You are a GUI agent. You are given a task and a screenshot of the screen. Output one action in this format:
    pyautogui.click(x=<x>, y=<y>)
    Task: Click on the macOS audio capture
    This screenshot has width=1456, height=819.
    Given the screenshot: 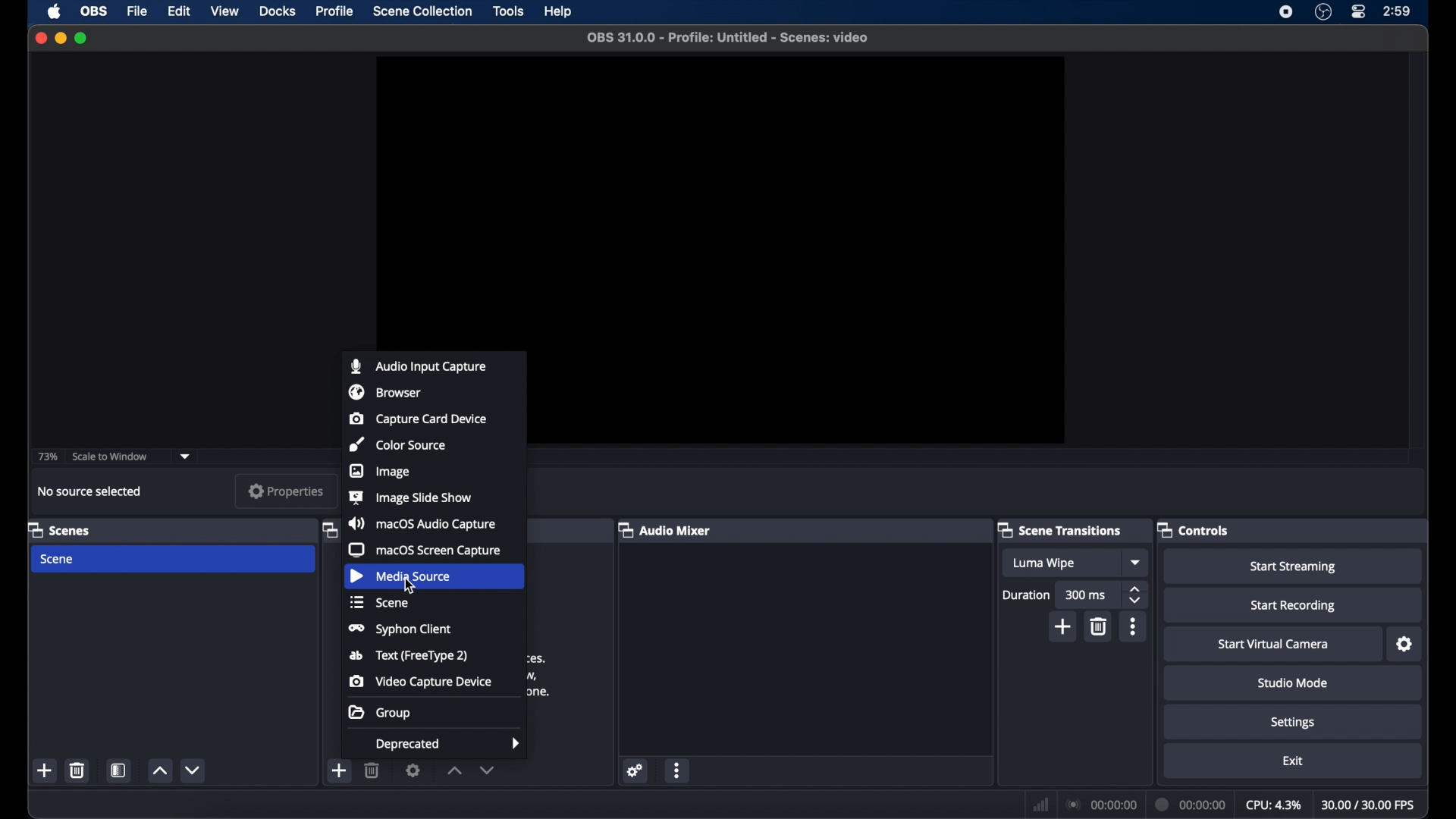 What is the action you would take?
    pyautogui.click(x=419, y=524)
    